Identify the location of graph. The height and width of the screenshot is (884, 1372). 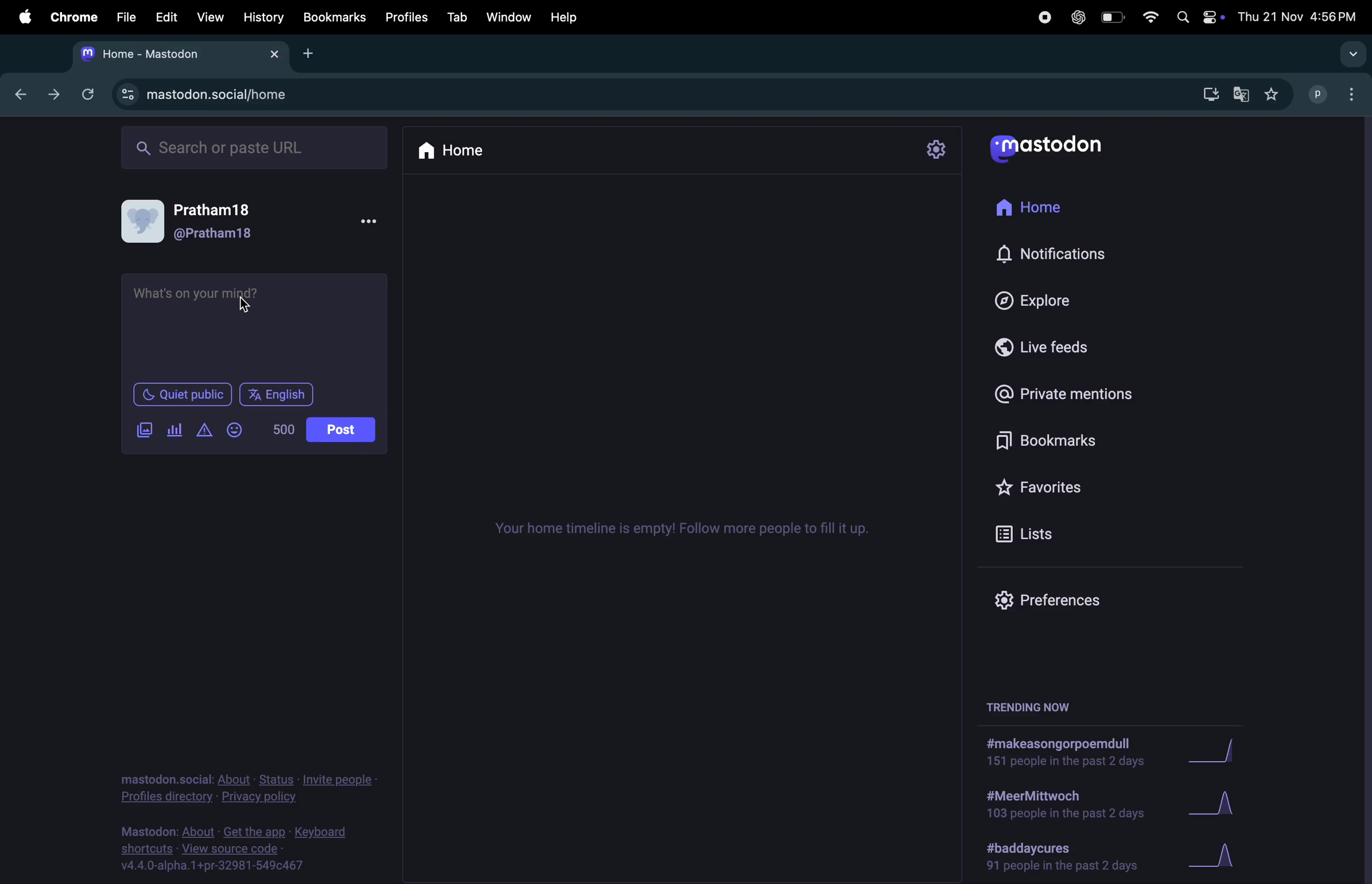
(1213, 804).